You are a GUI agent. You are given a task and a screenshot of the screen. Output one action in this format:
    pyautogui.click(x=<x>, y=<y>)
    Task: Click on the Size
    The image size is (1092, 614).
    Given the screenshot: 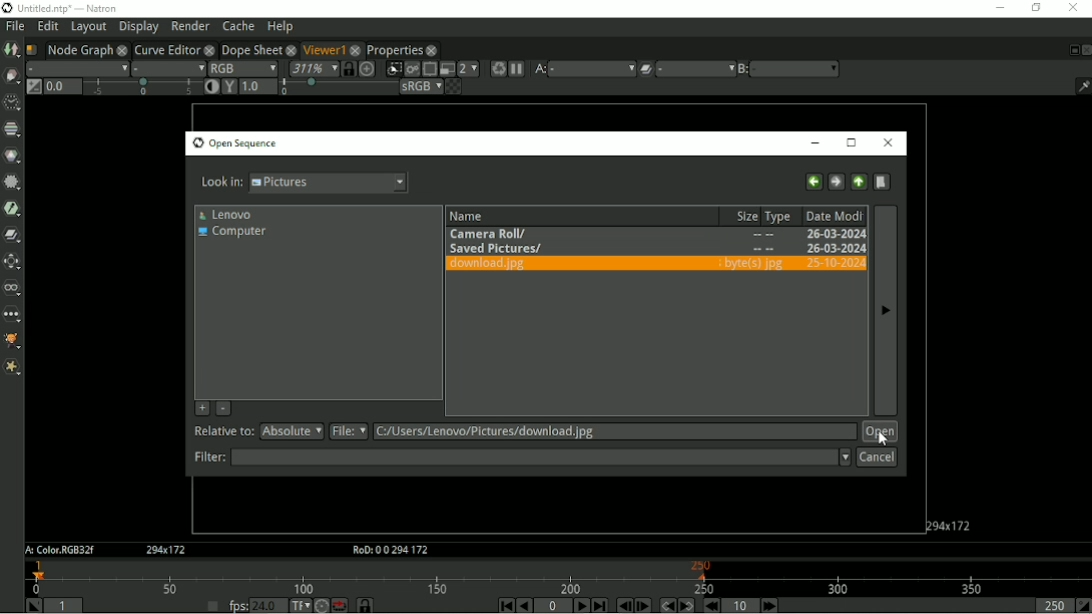 What is the action you would take?
    pyautogui.click(x=743, y=216)
    